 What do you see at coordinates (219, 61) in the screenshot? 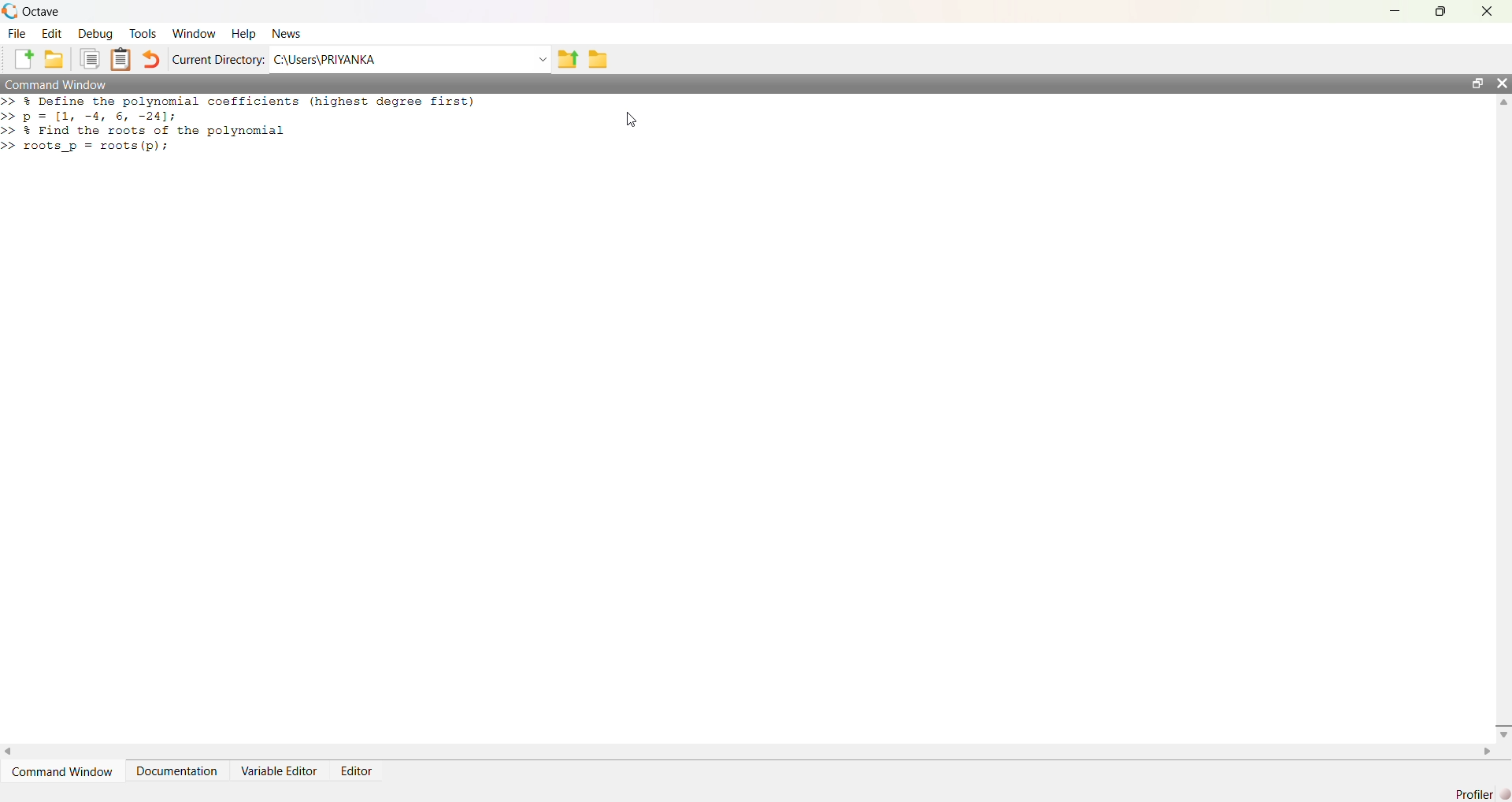
I see `Current Directory:` at bounding box center [219, 61].